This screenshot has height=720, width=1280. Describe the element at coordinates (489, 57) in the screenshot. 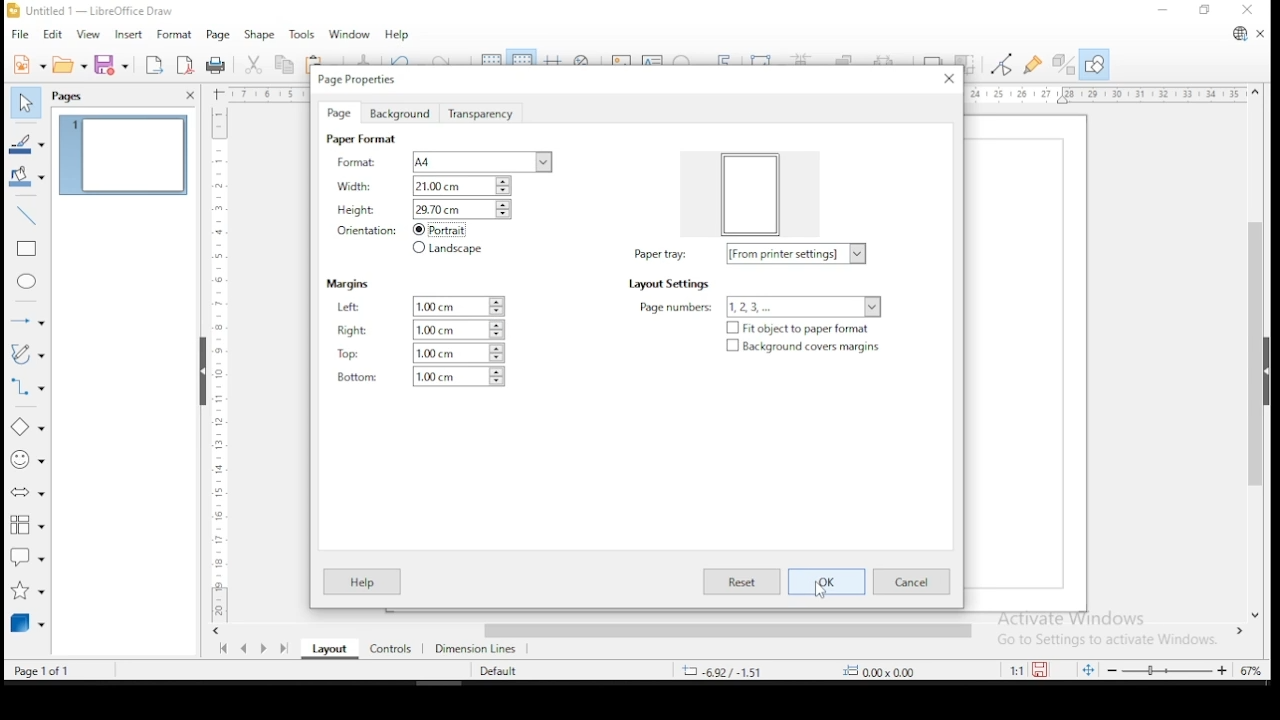

I see `show grids` at that location.